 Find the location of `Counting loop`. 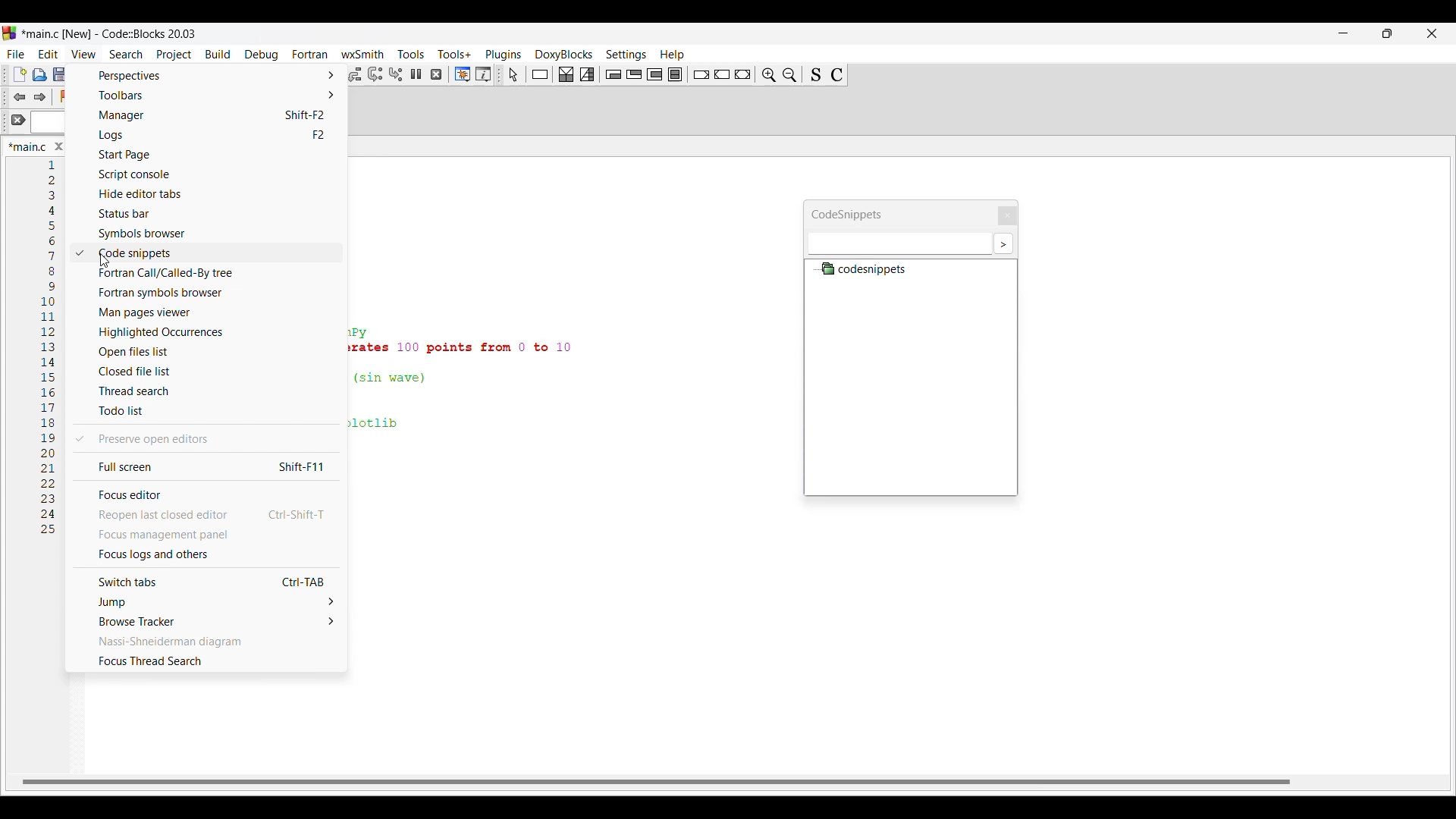

Counting loop is located at coordinates (654, 74).